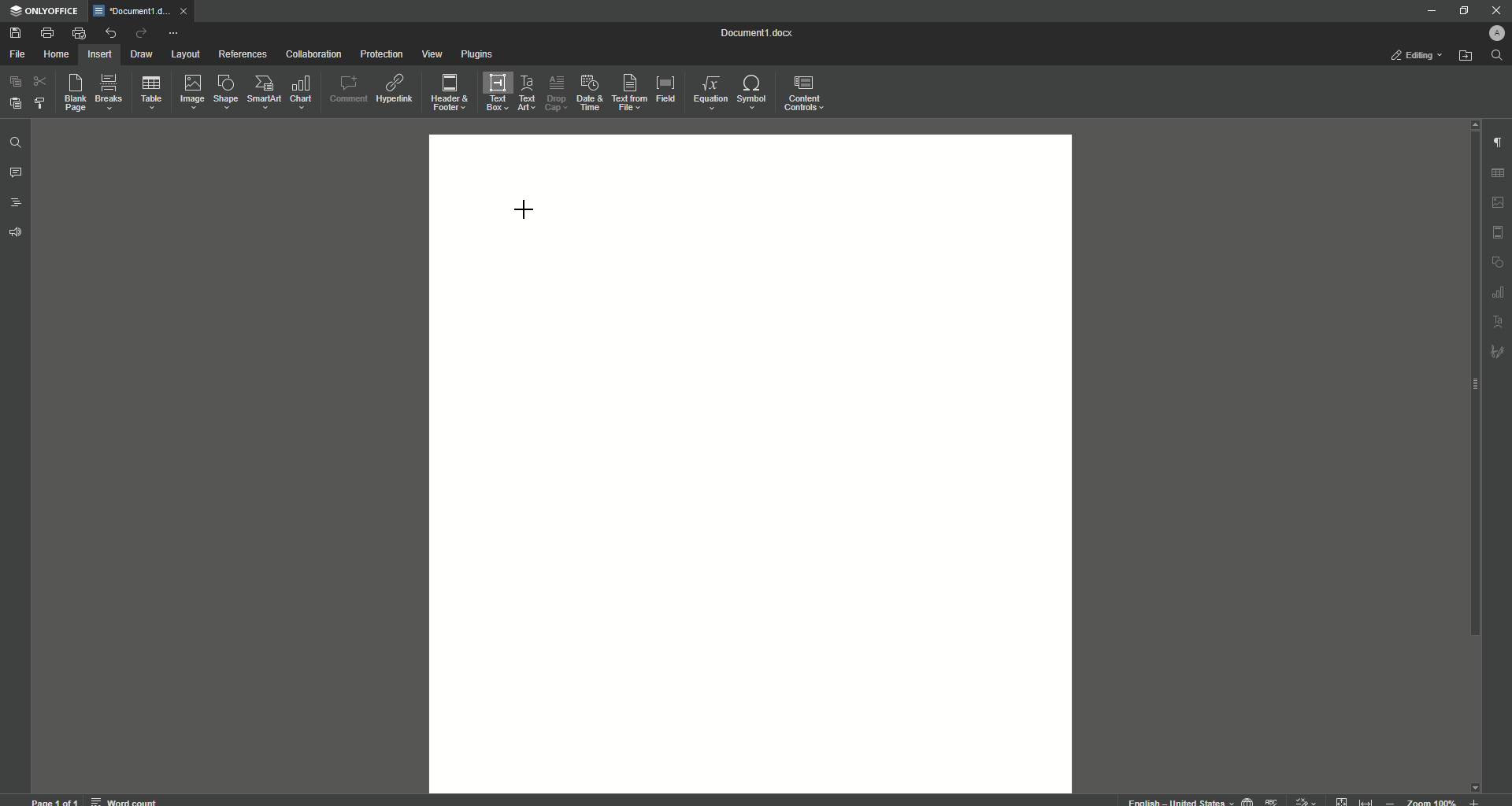  What do you see at coordinates (627, 91) in the screenshot?
I see `Text From File` at bounding box center [627, 91].